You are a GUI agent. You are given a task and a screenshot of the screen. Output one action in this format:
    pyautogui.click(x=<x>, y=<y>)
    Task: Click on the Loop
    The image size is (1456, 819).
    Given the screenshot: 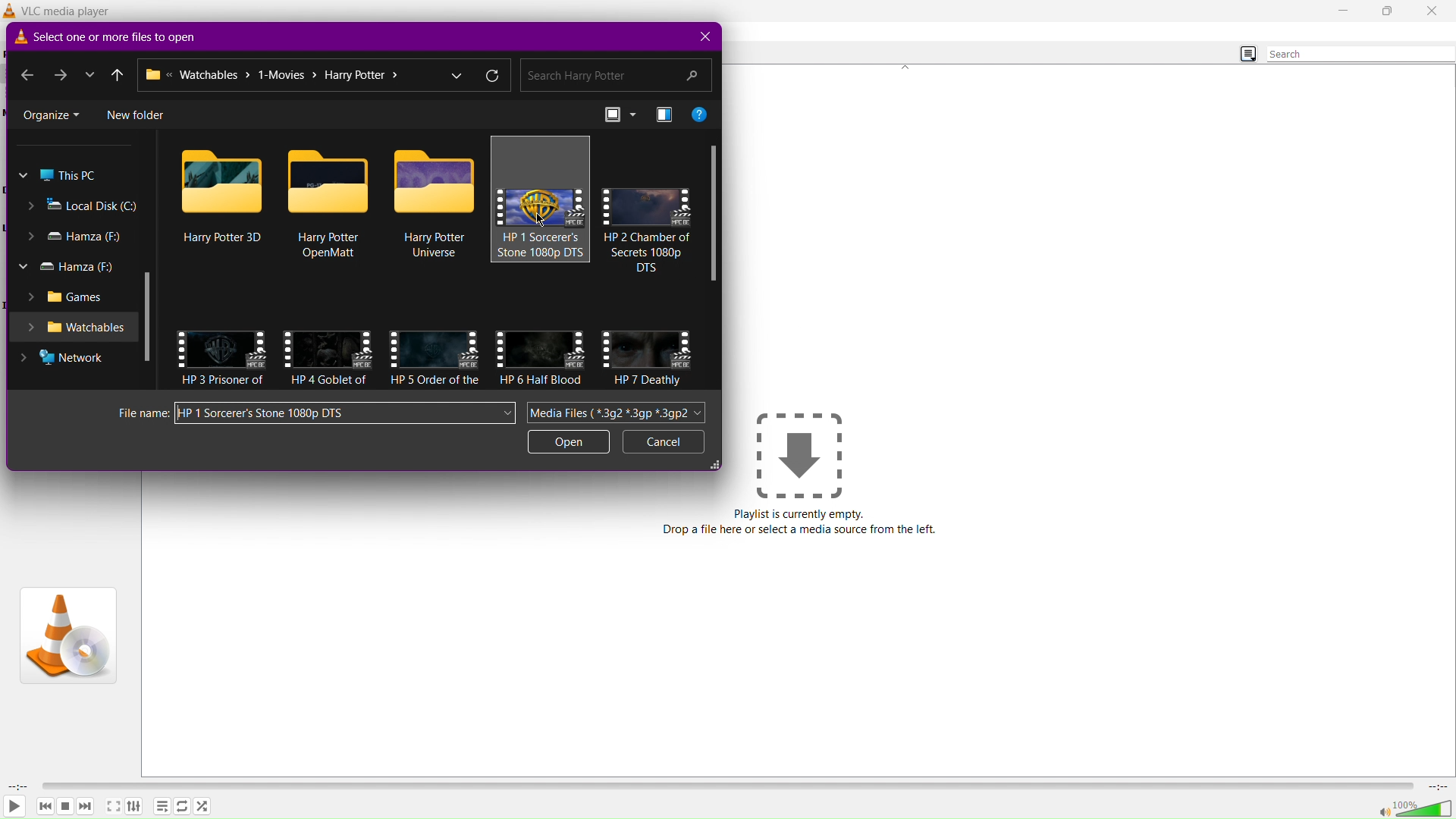 What is the action you would take?
    pyautogui.click(x=181, y=808)
    